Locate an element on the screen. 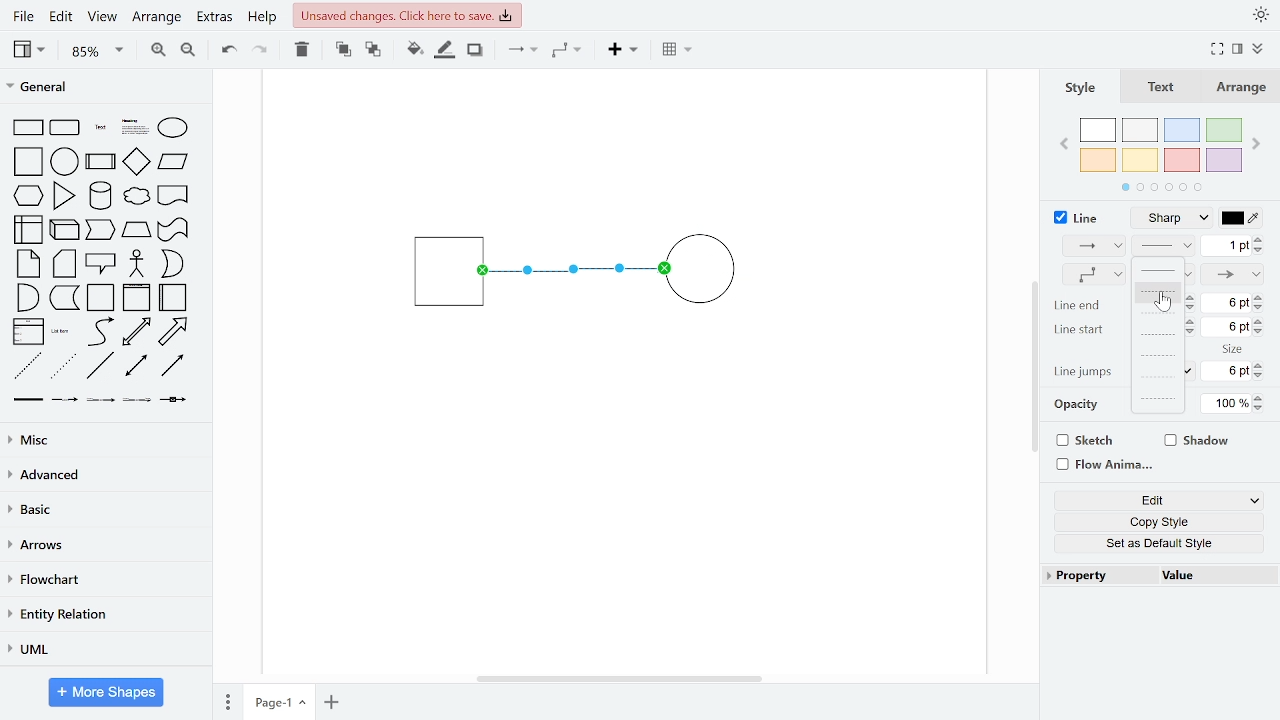  connection  is located at coordinates (1092, 245).